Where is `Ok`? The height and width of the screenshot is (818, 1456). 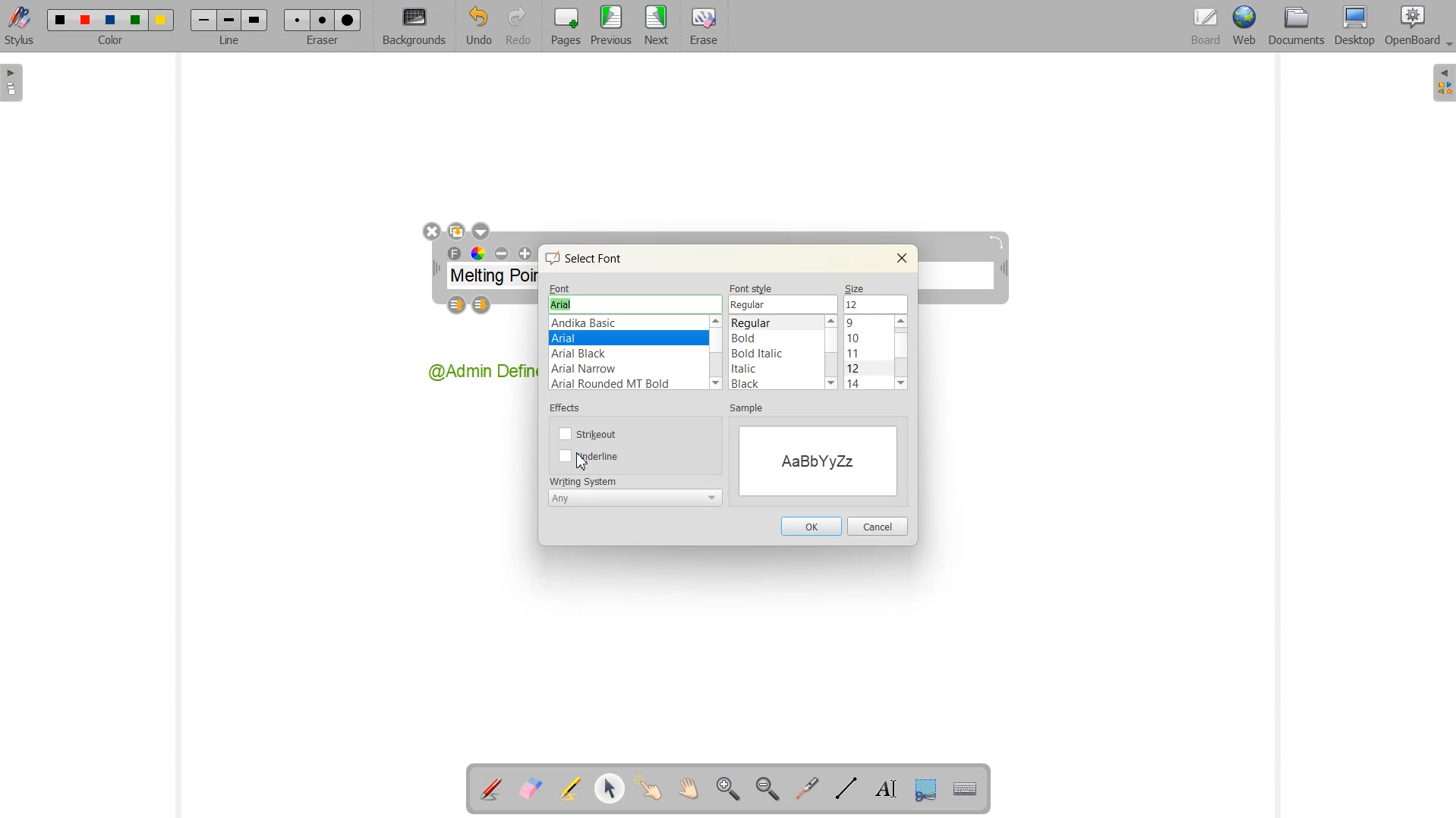 Ok is located at coordinates (810, 526).